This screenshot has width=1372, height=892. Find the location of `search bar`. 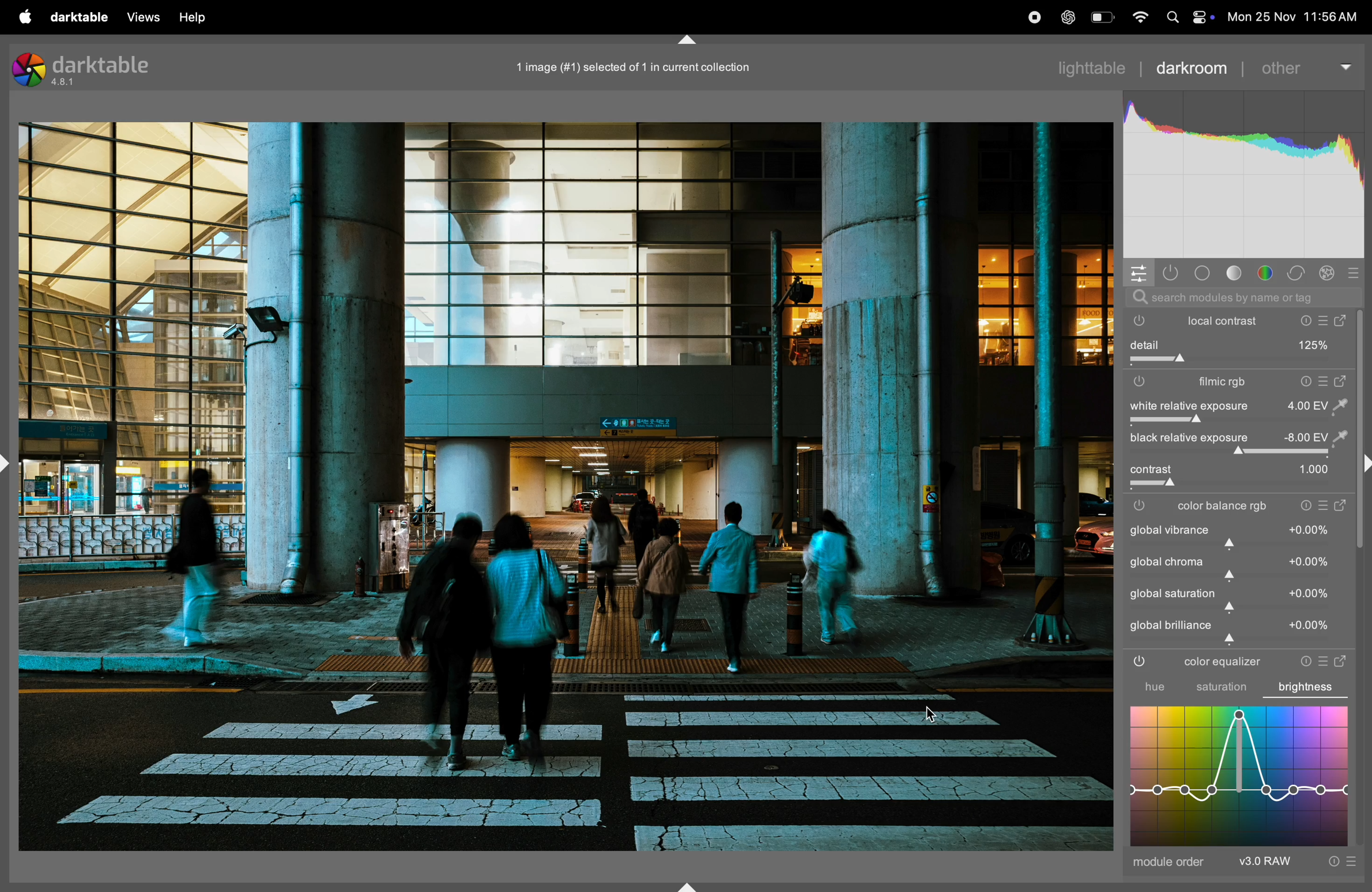

search bar is located at coordinates (1239, 297).